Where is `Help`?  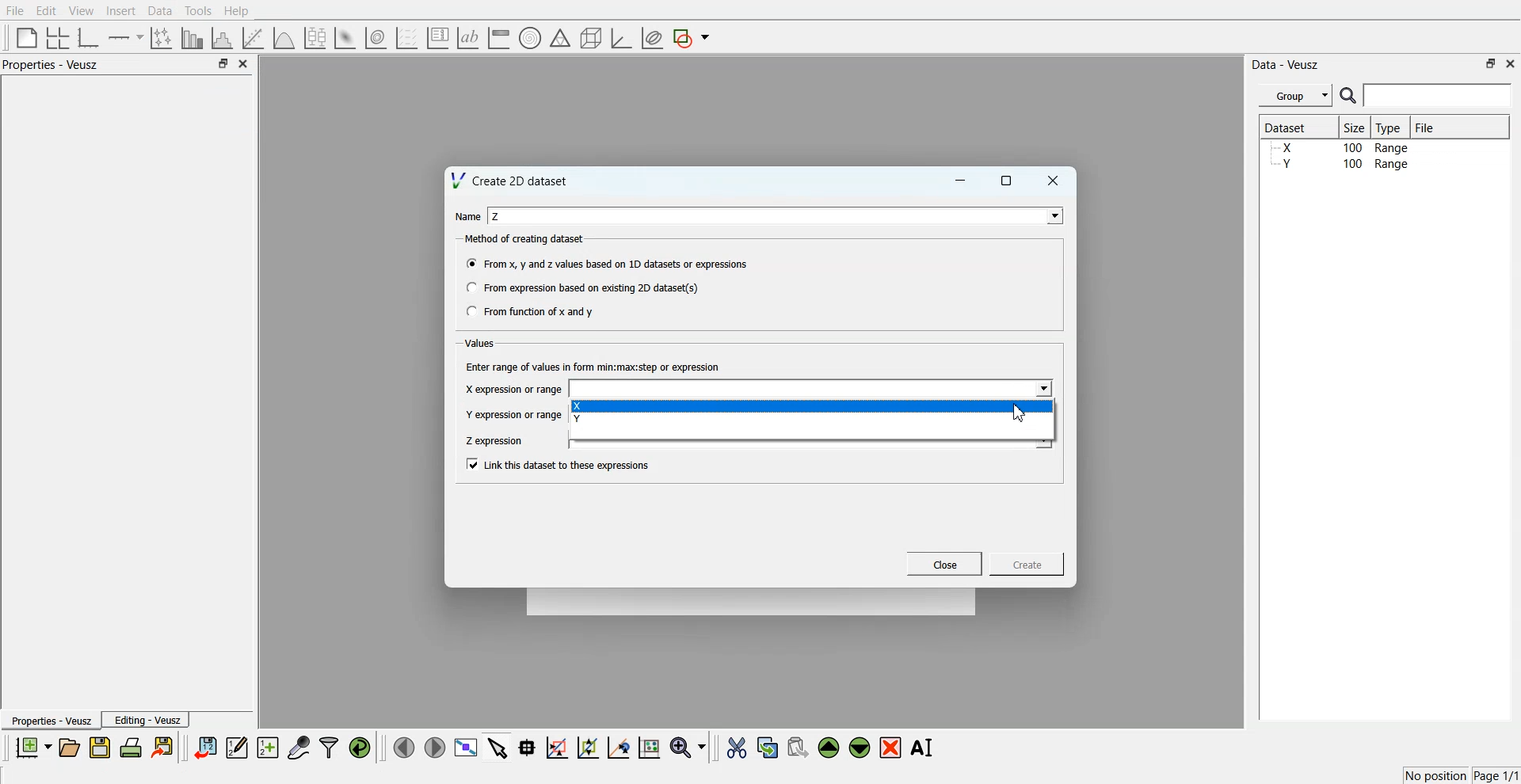
Help is located at coordinates (237, 11).